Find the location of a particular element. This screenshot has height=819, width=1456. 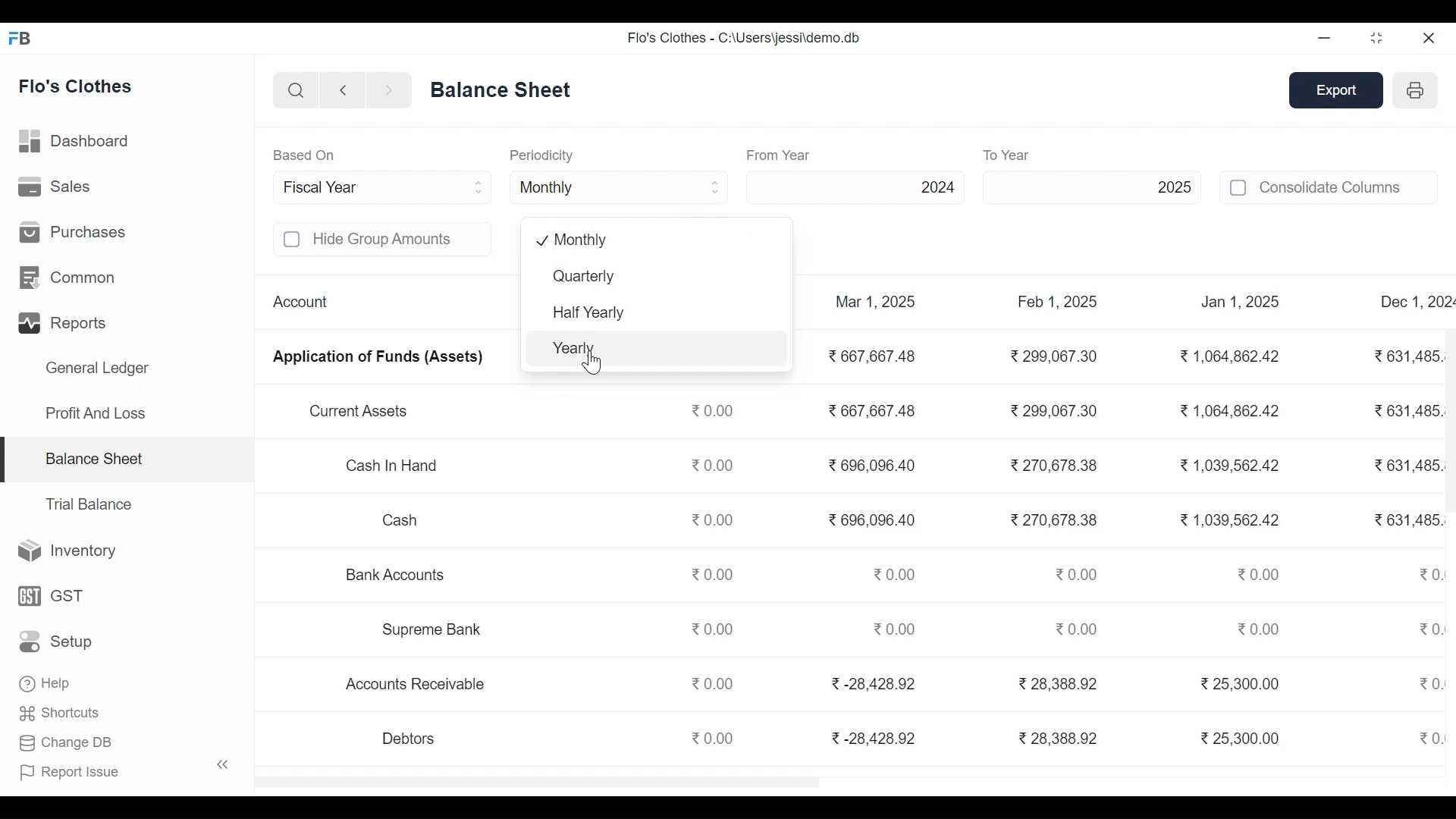

Account is located at coordinates (303, 303).